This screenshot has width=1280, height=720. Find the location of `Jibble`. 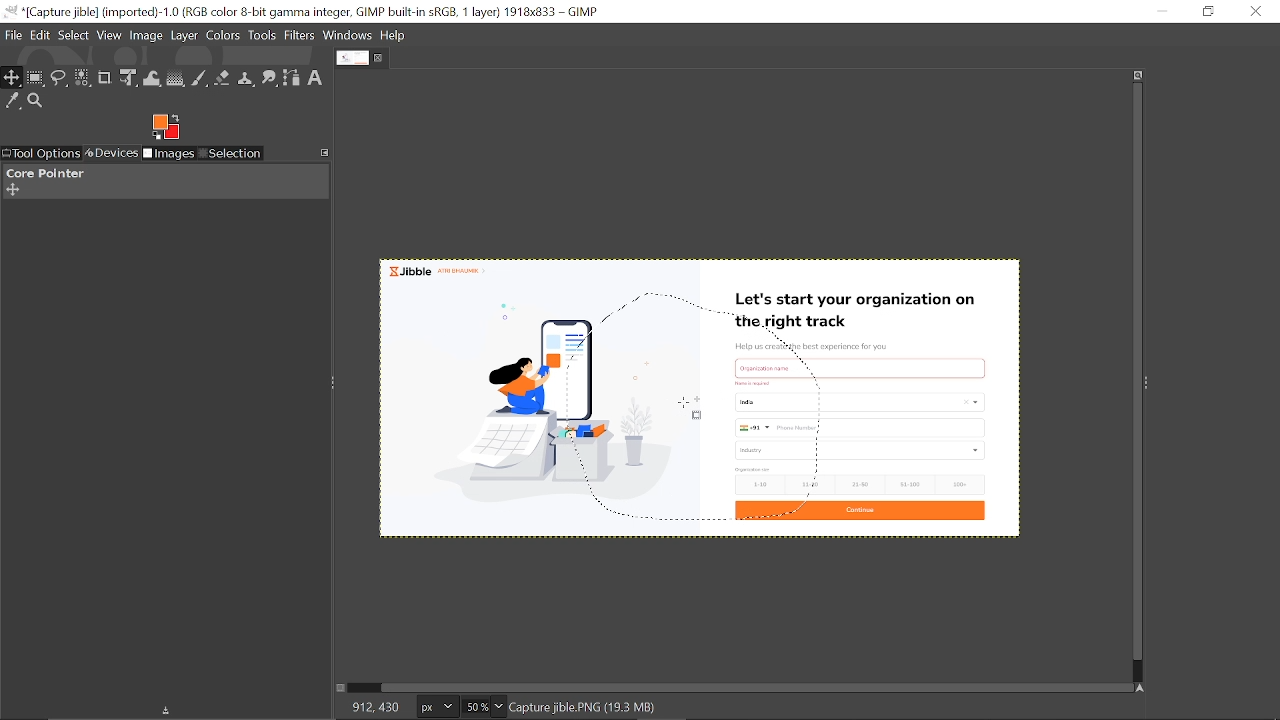

Jibble is located at coordinates (436, 269).